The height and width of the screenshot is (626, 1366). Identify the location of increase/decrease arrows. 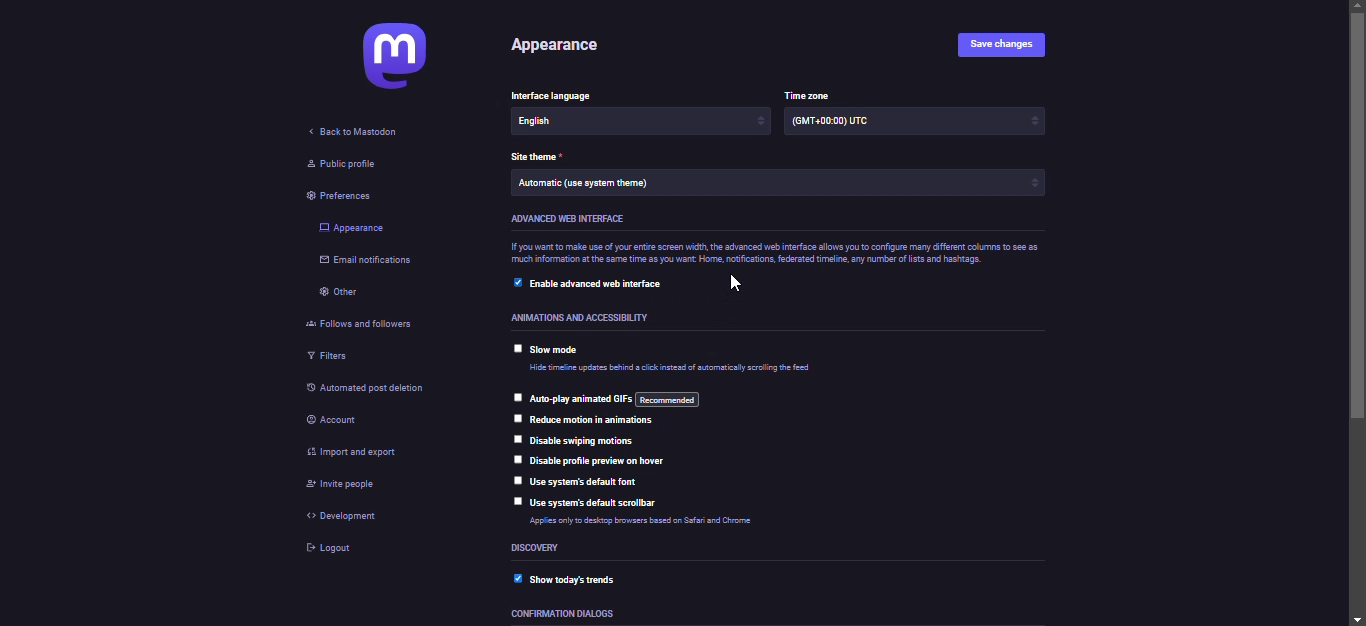
(1035, 183).